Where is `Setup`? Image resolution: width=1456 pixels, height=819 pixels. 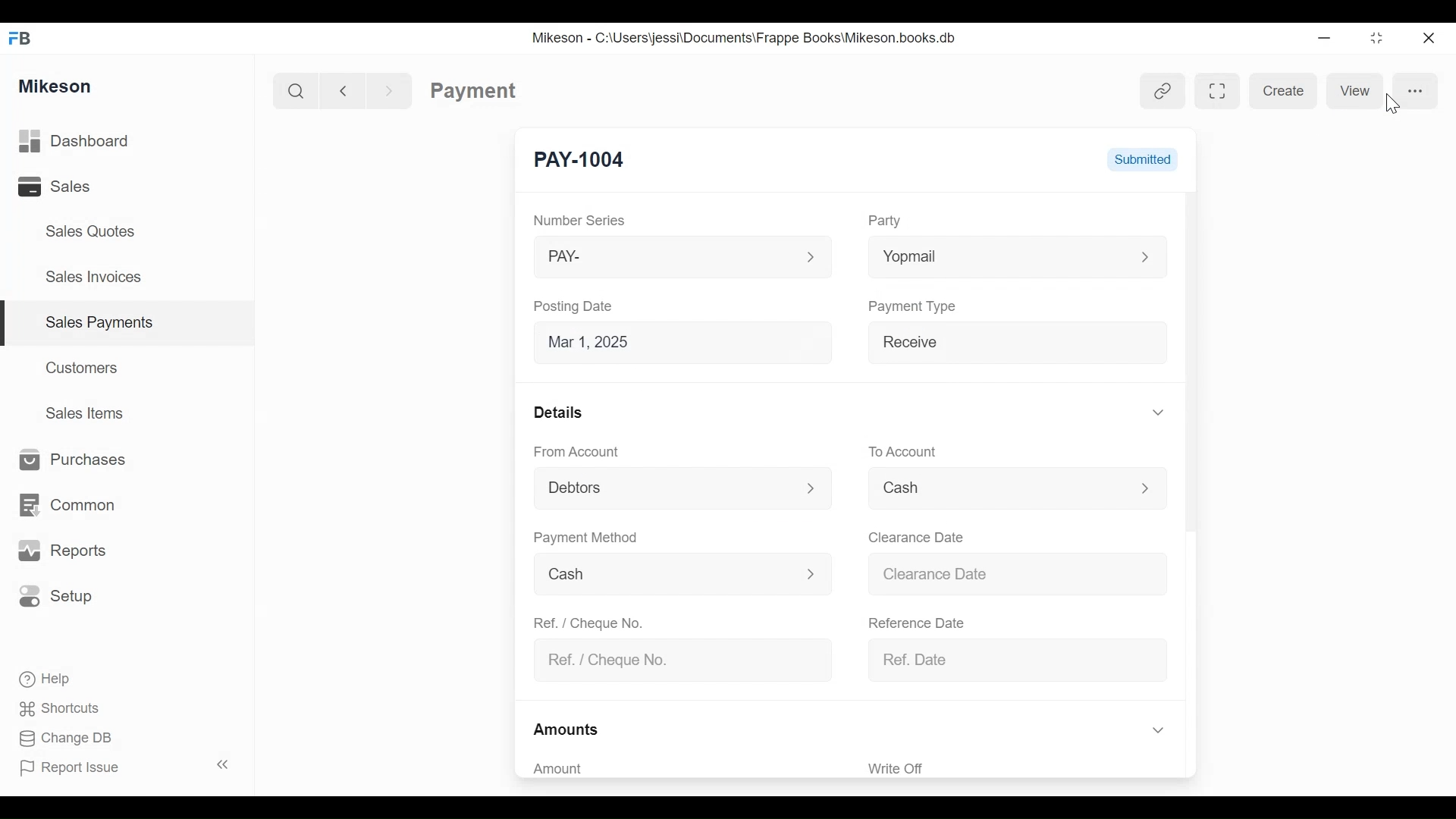
Setup is located at coordinates (61, 597).